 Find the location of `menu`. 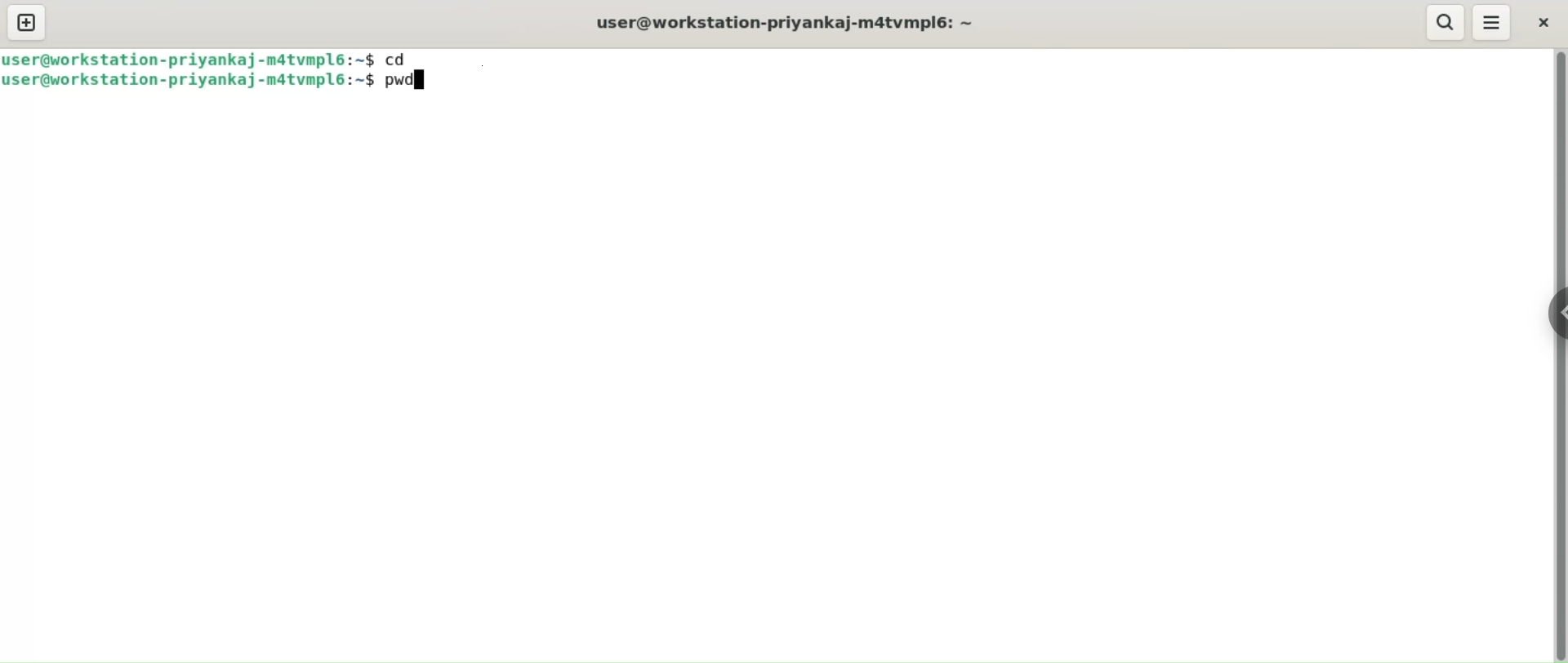

menu is located at coordinates (1492, 22).